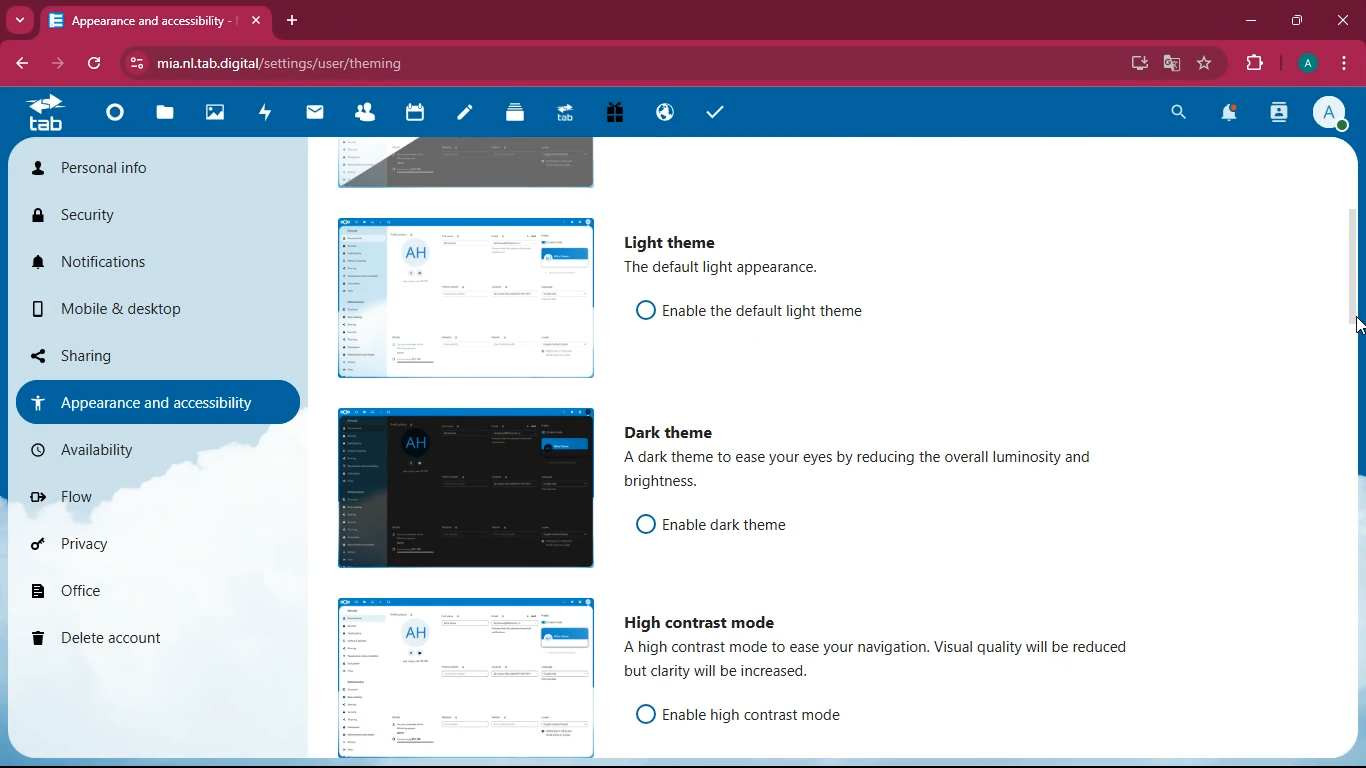  Describe the element at coordinates (123, 639) in the screenshot. I see `delete` at that location.